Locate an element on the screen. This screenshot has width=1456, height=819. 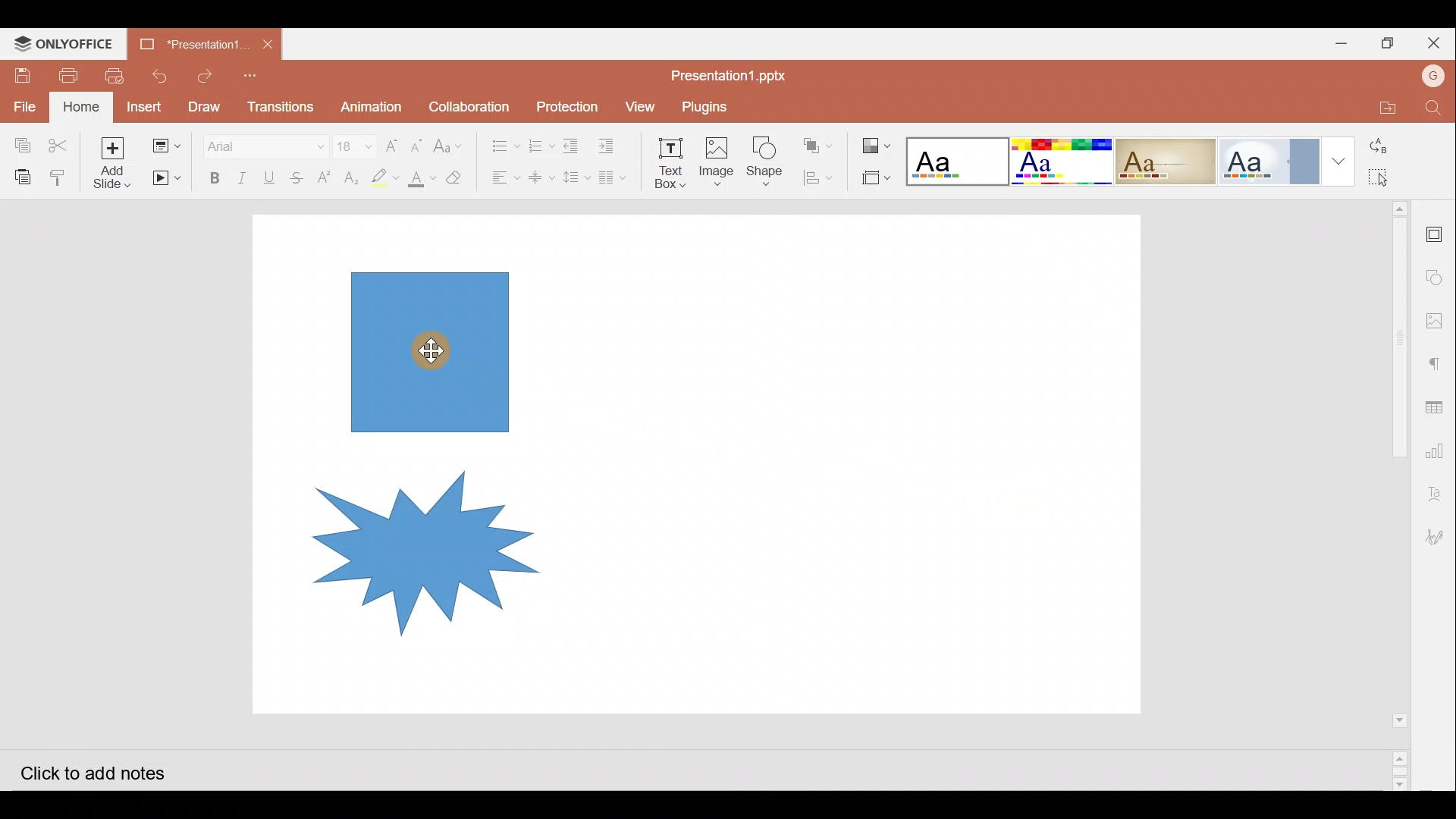
Copy style is located at coordinates (61, 175).